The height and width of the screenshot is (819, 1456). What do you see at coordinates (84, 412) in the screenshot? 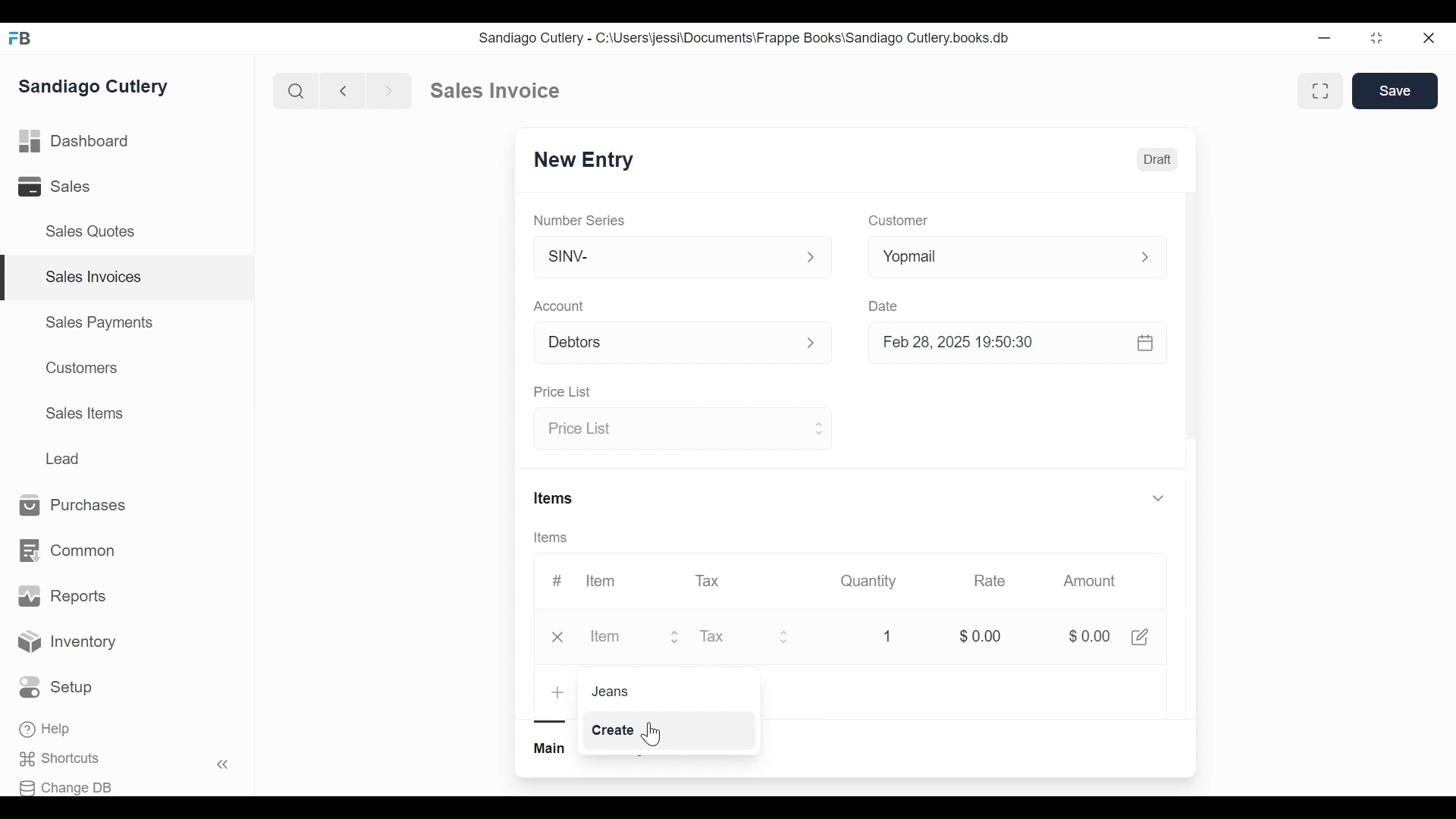
I see `Sales Items` at bounding box center [84, 412].